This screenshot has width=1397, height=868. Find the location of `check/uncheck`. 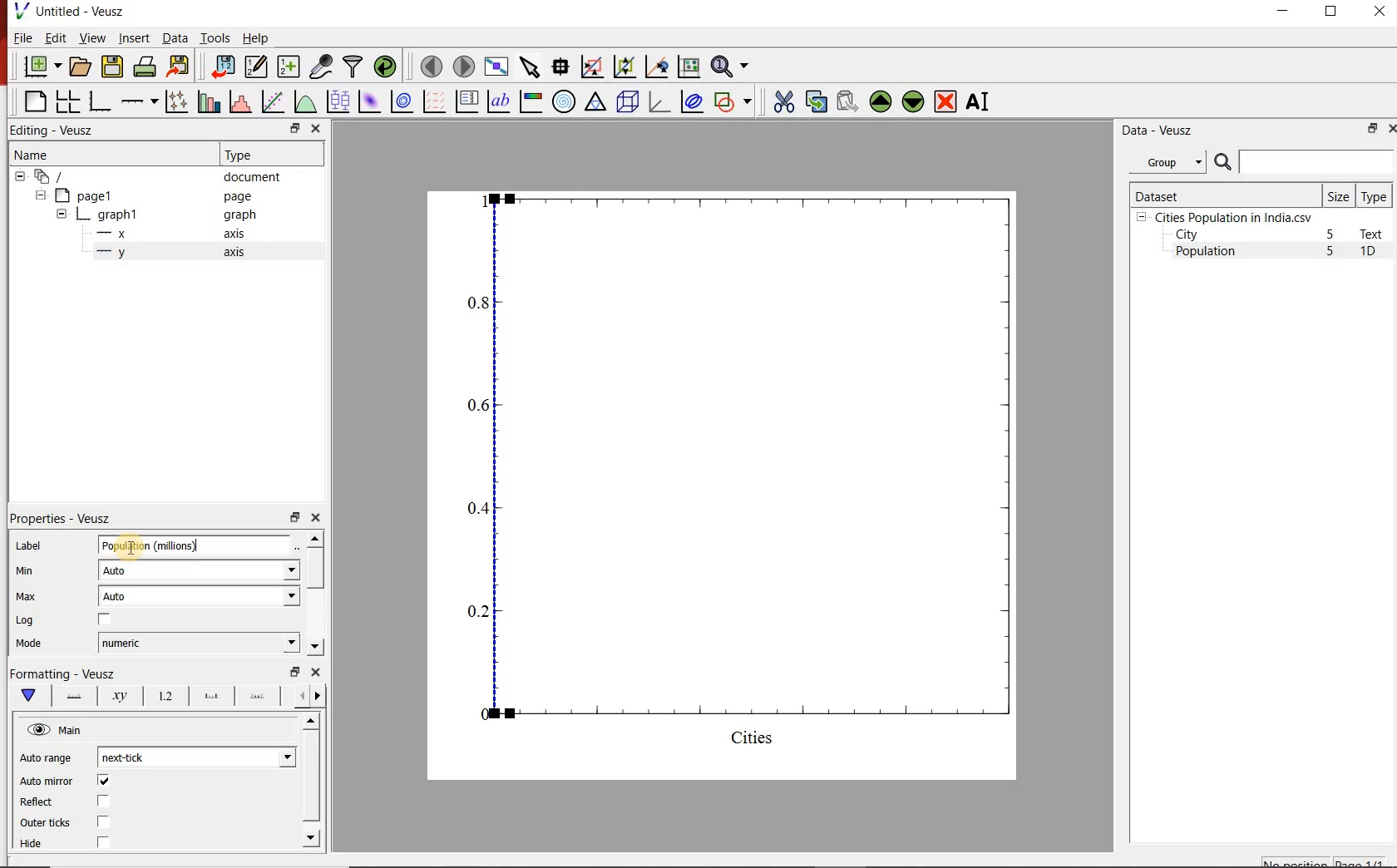

check/uncheck is located at coordinates (103, 823).